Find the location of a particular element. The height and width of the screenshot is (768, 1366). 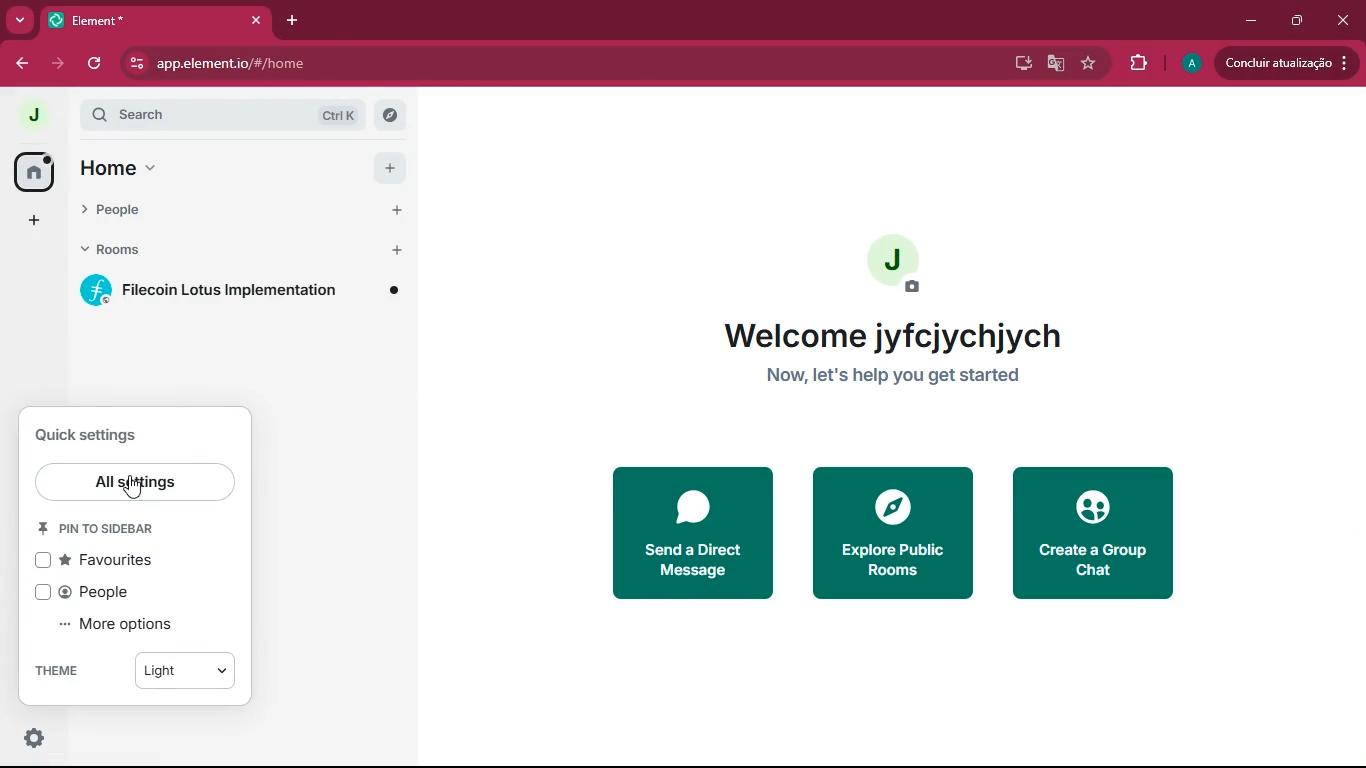

update is located at coordinates (1283, 63).